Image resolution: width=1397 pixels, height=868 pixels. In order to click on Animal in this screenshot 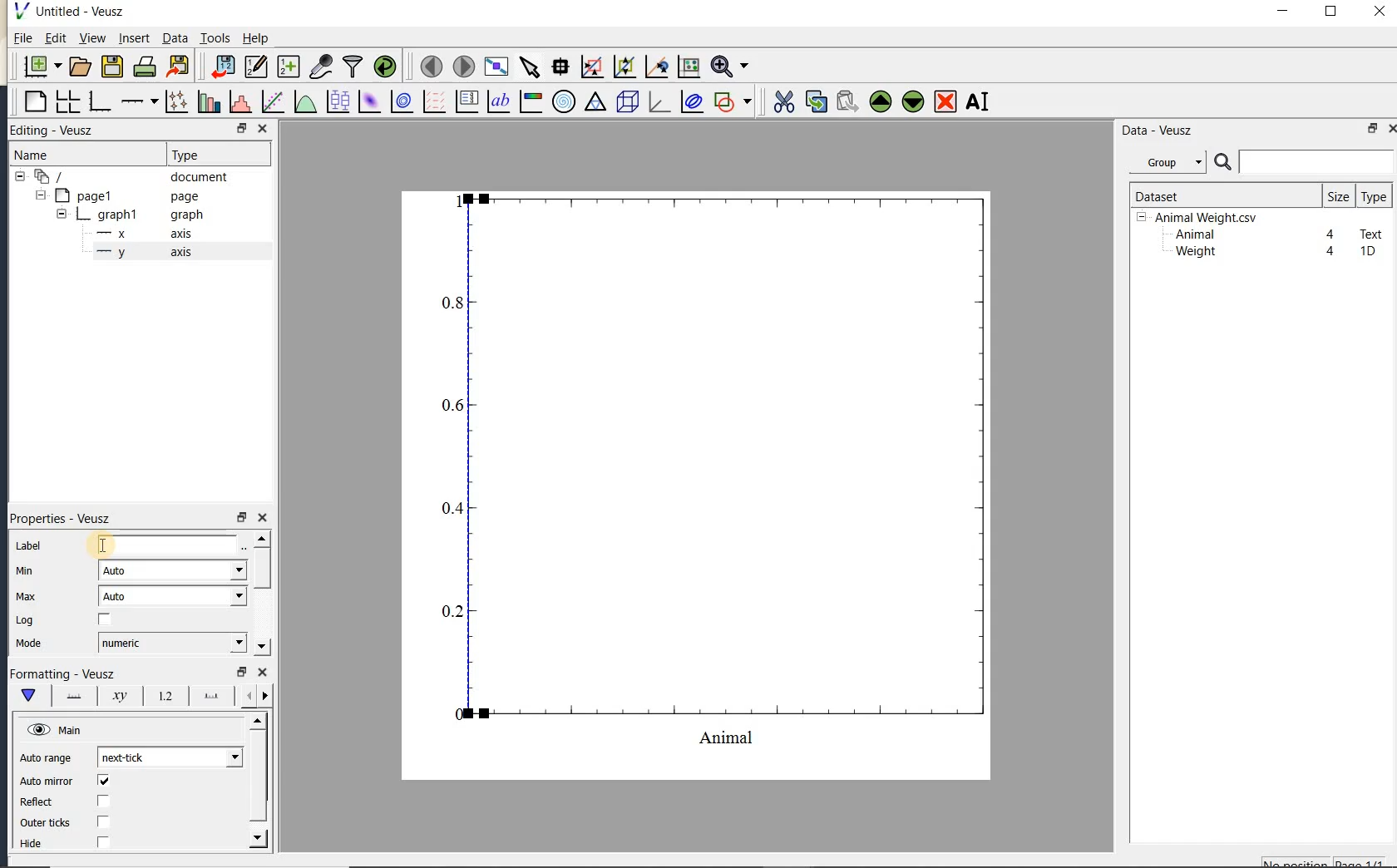, I will do `click(170, 546)`.